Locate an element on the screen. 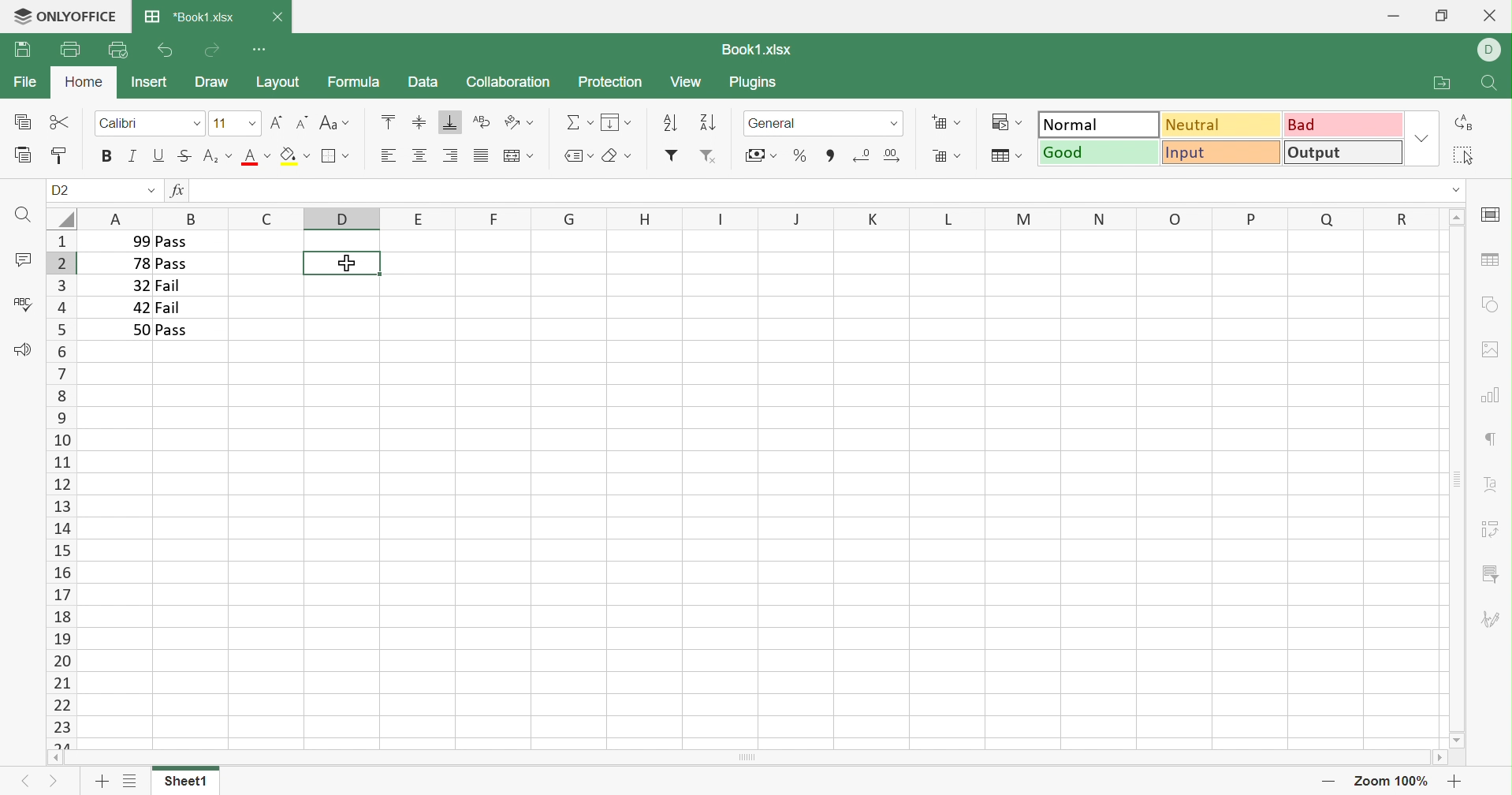 This screenshot has width=1512, height=795. Comma style is located at coordinates (831, 154).